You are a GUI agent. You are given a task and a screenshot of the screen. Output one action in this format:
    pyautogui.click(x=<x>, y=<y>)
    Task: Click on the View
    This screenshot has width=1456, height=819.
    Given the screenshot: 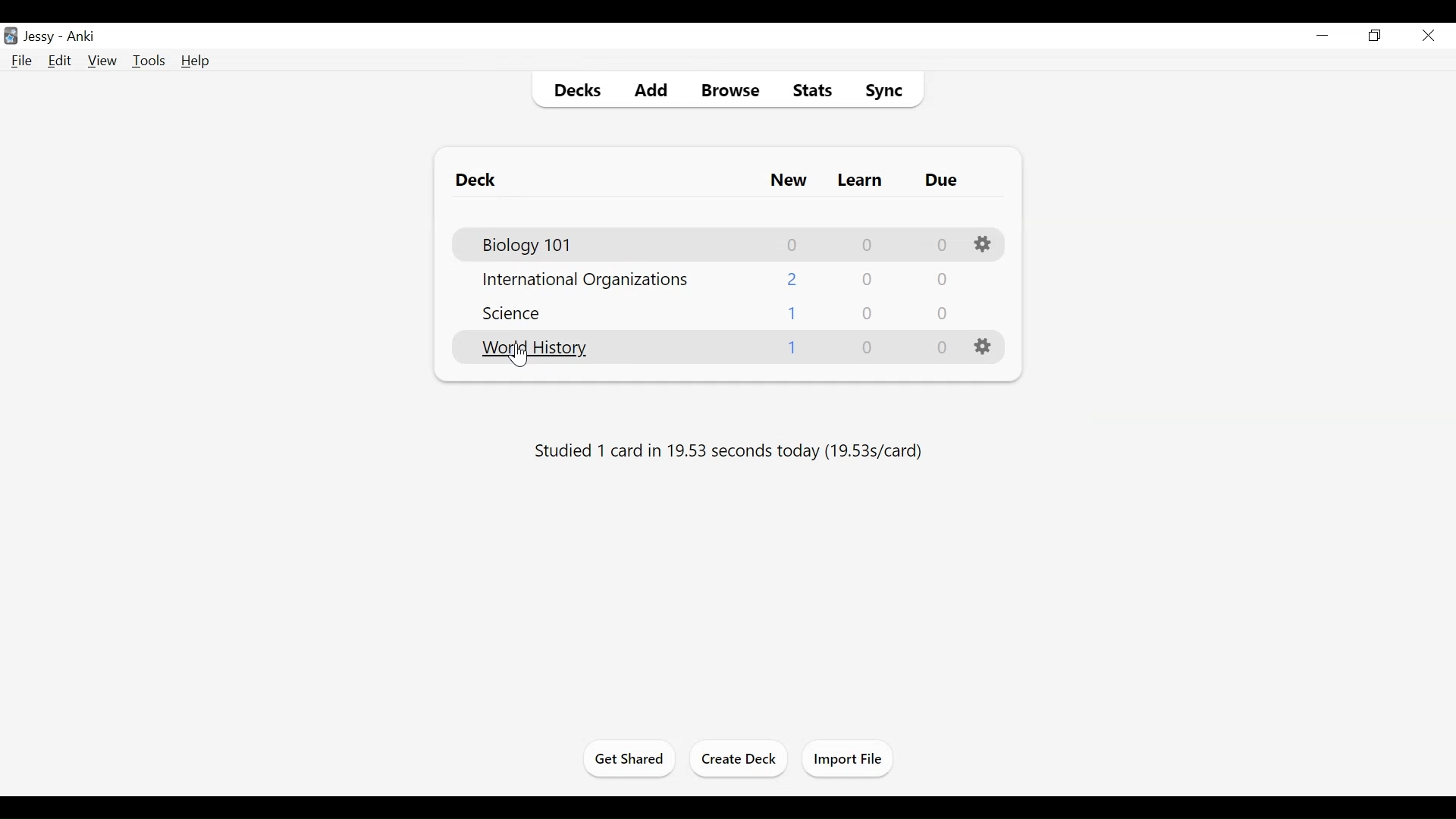 What is the action you would take?
    pyautogui.click(x=101, y=61)
    